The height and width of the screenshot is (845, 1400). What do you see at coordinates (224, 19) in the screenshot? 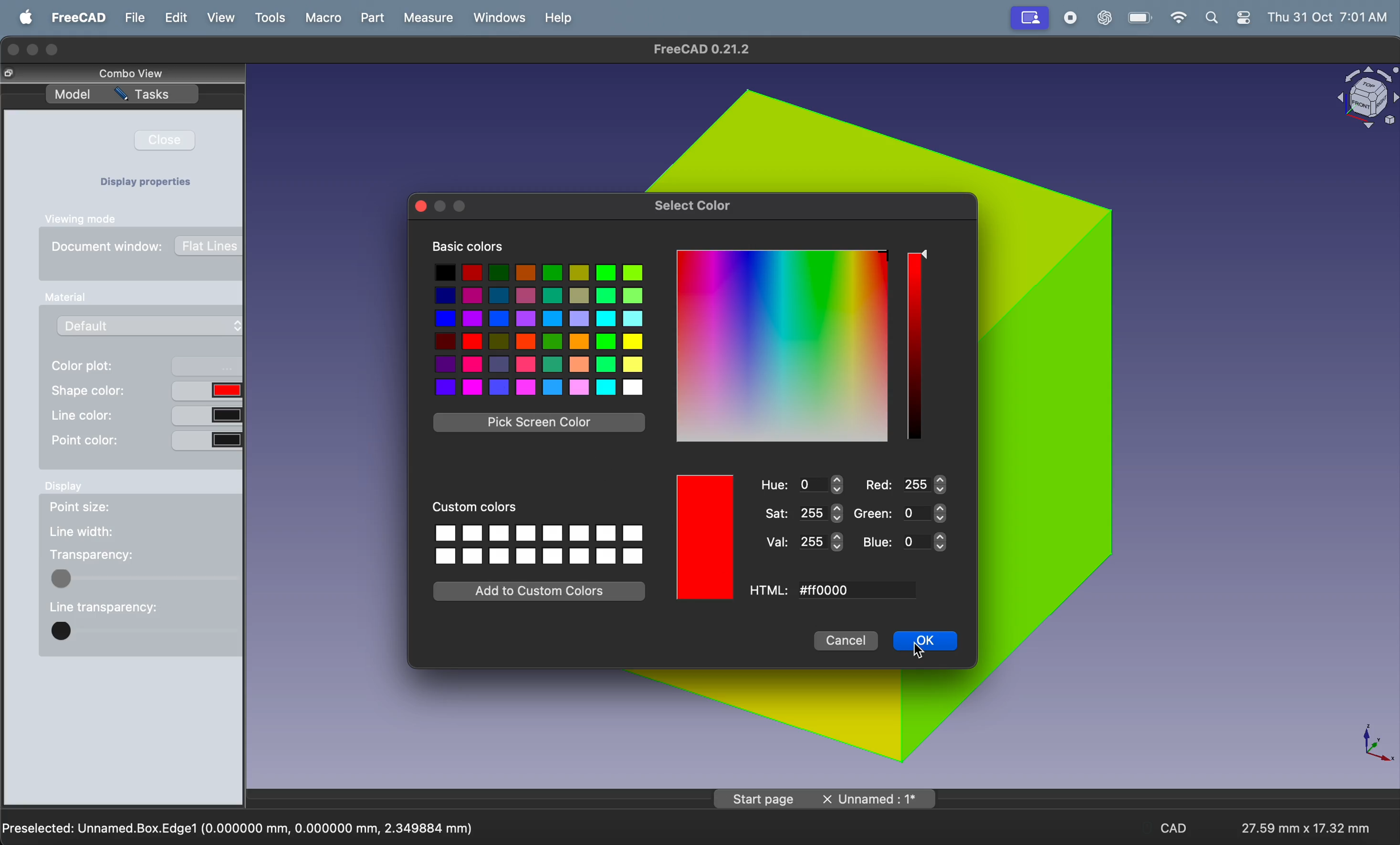
I see `view` at bounding box center [224, 19].